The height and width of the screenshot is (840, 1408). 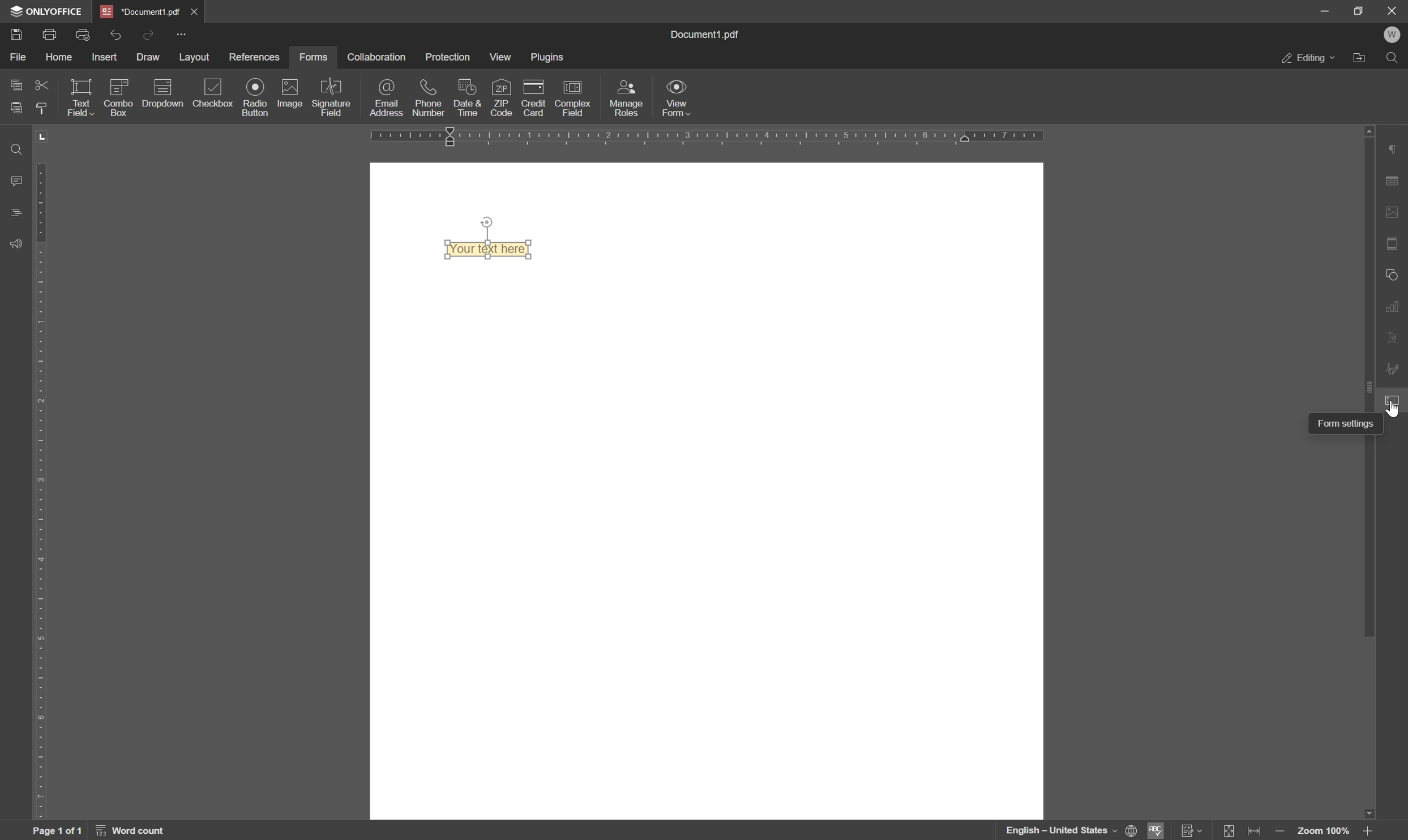 I want to click on chart settings, so click(x=1392, y=306).